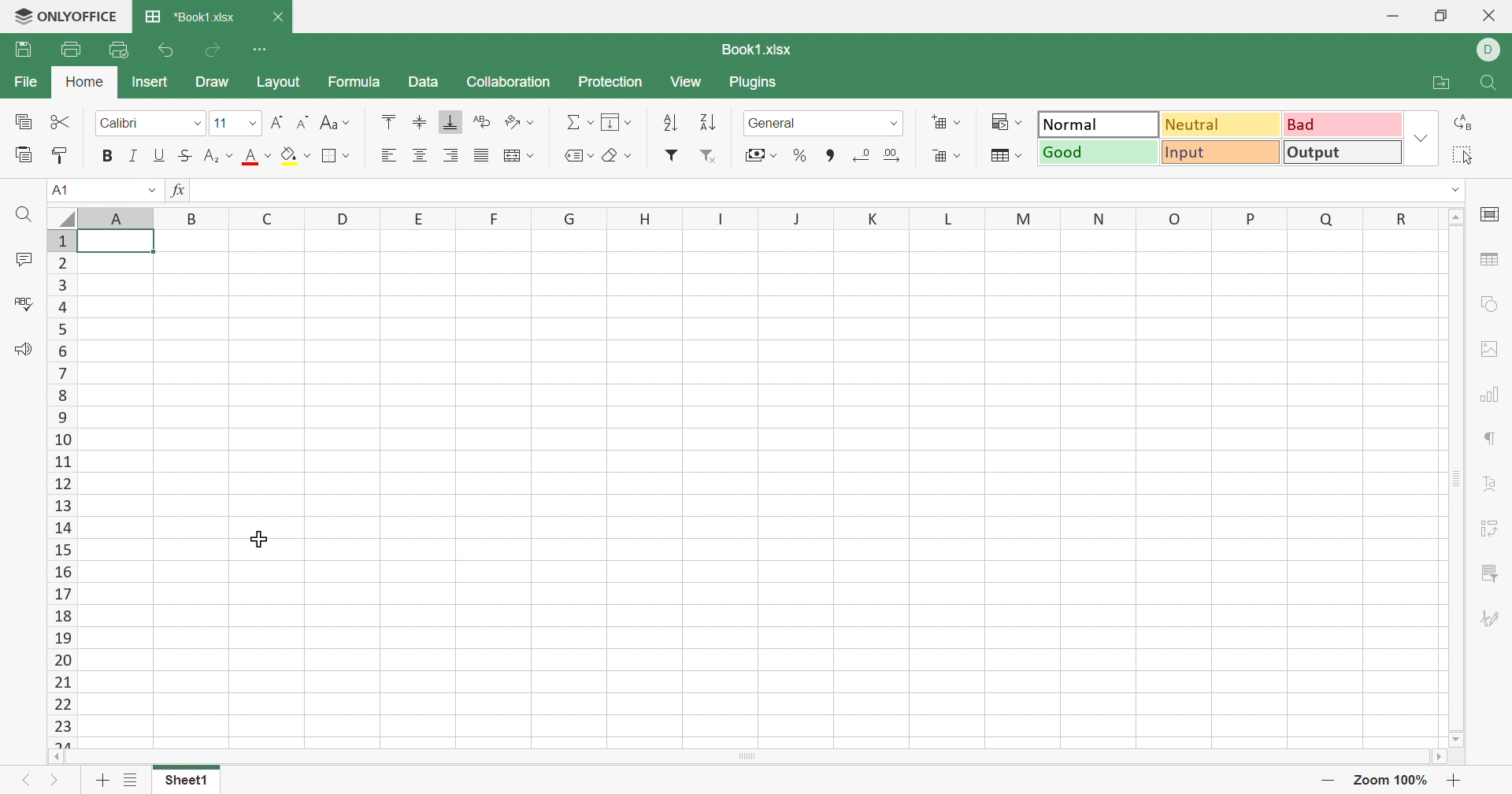  What do you see at coordinates (1422, 139) in the screenshot?
I see `Drop Down` at bounding box center [1422, 139].